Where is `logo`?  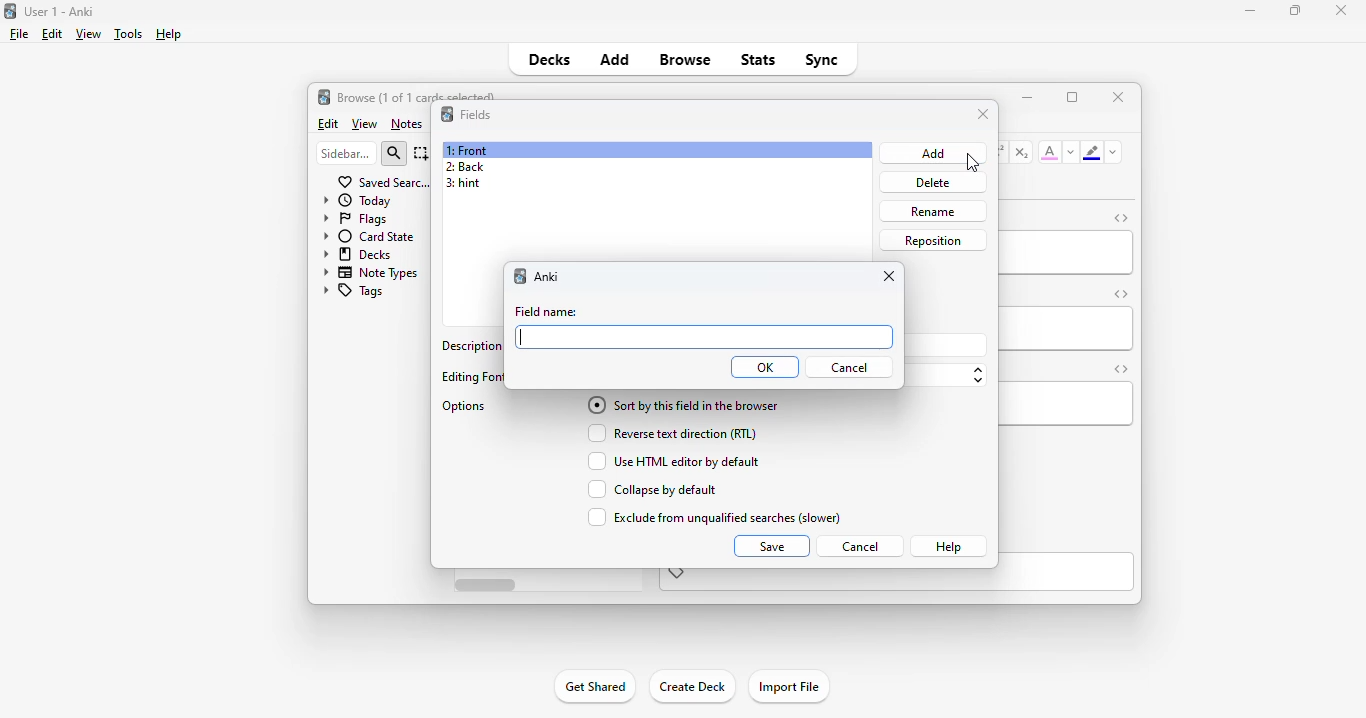
logo is located at coordinates (323, 96).